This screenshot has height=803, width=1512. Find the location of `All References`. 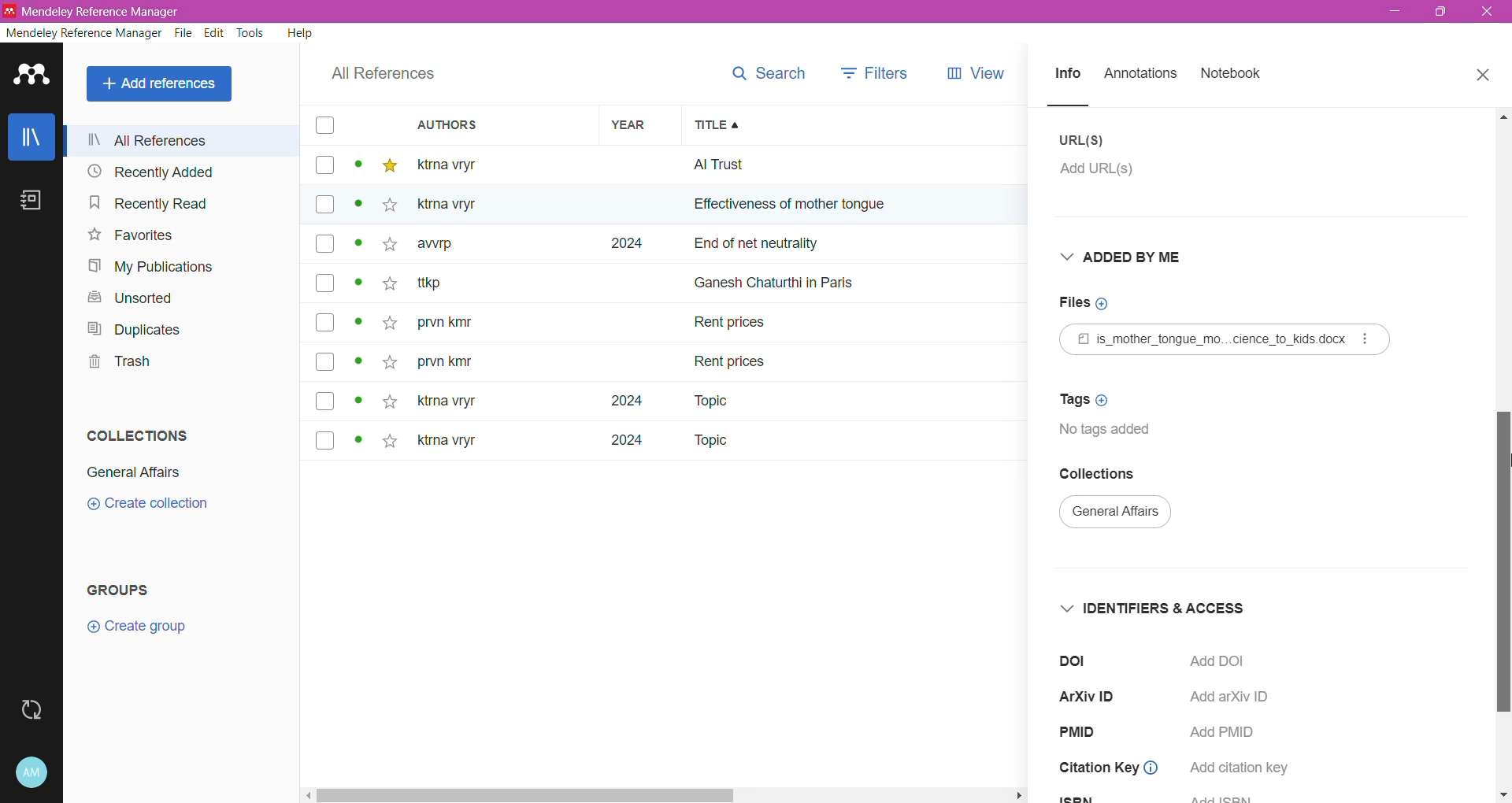

All References is located at coordinates (162, 84).